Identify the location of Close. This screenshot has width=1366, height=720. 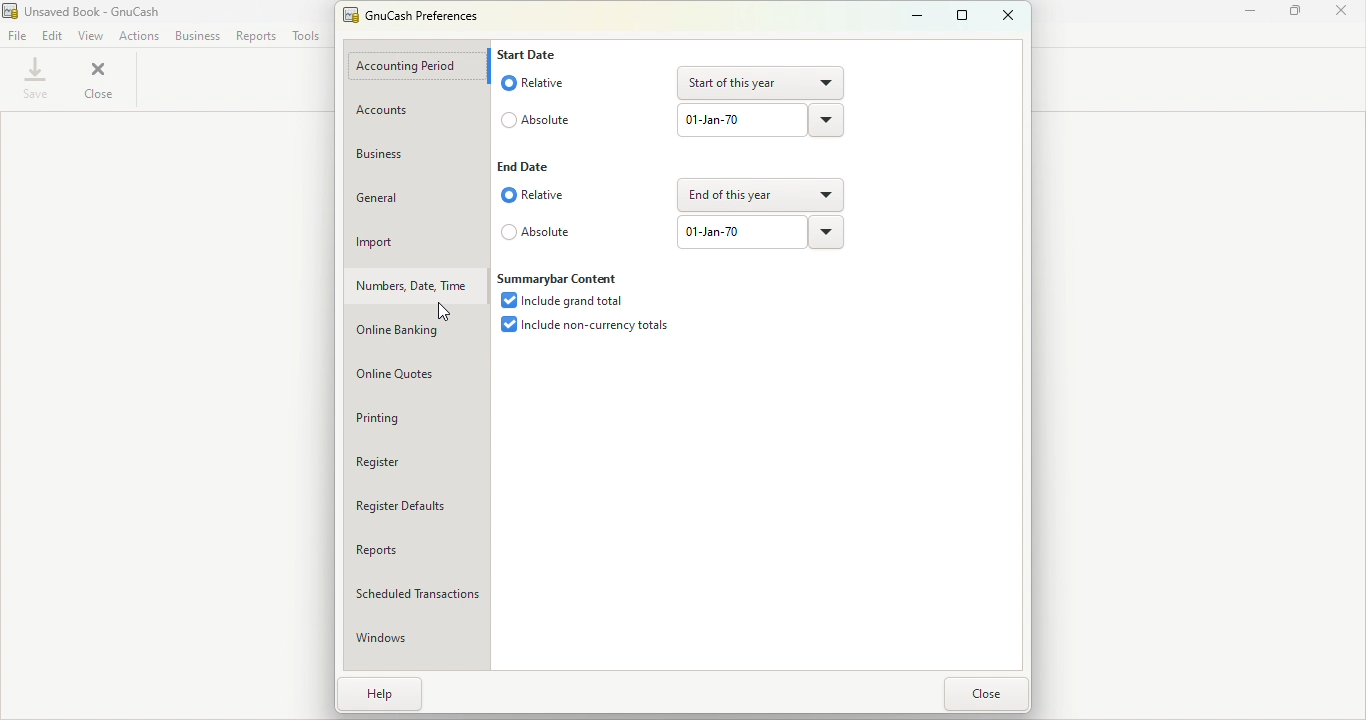
(988, 693).